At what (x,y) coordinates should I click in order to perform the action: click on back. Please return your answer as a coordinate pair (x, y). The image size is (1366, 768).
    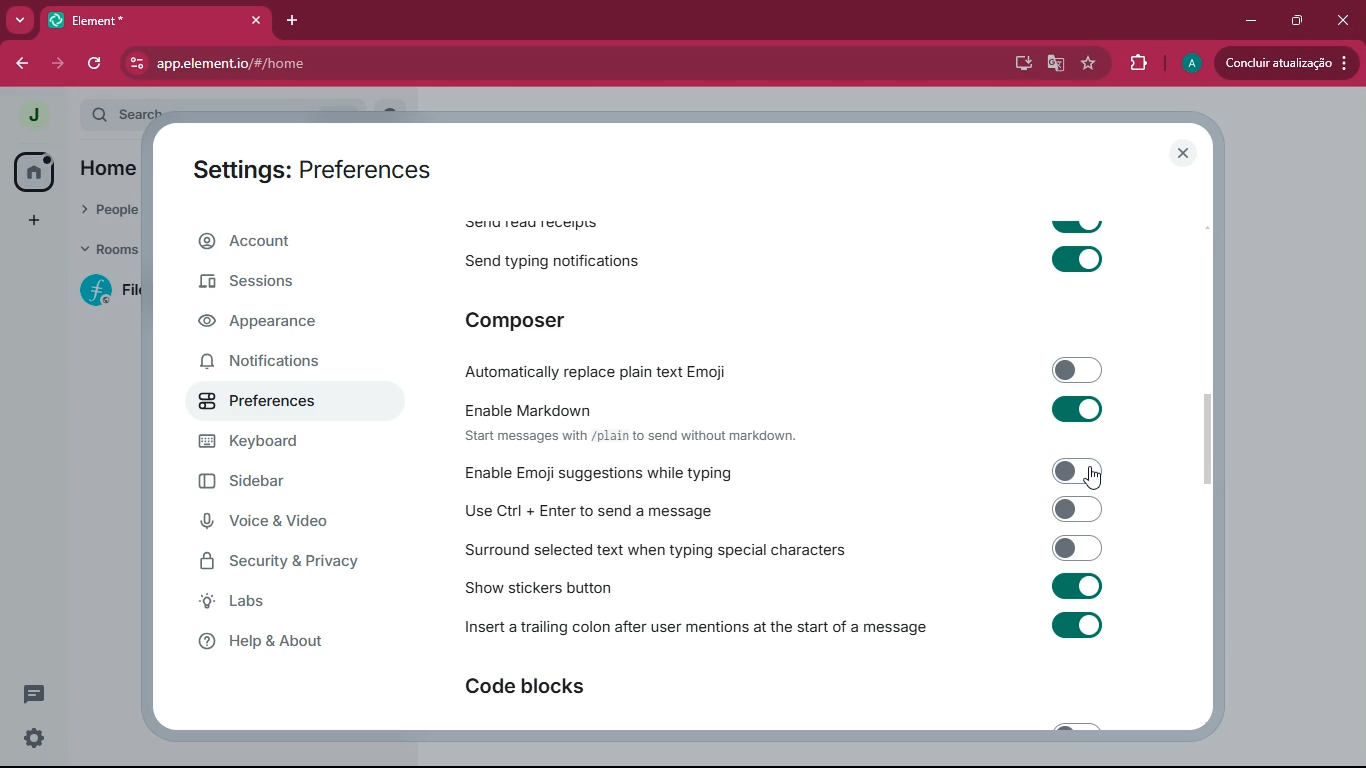
    Looking at the image, I should click on (22, 63).